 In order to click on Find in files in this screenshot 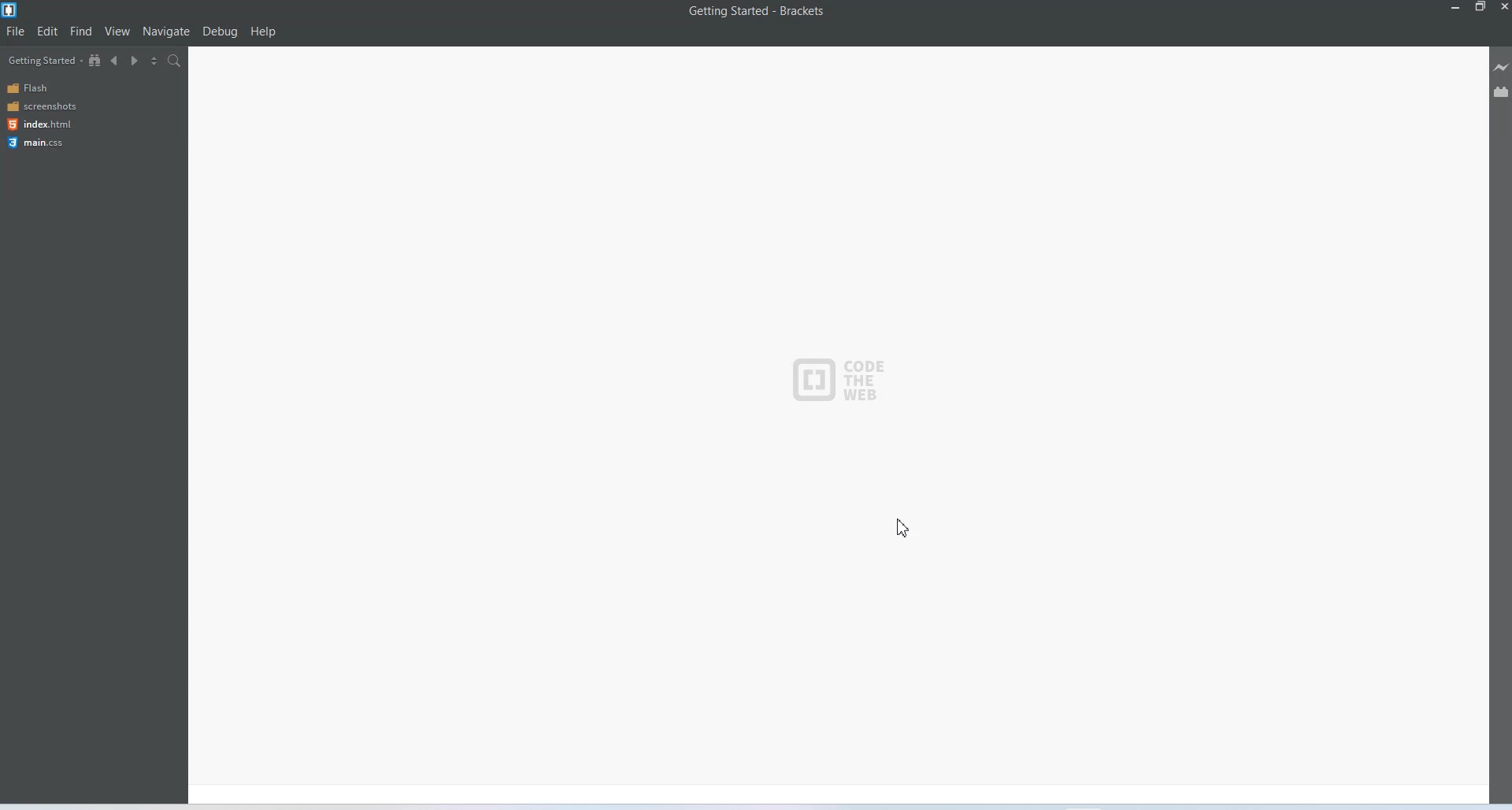, I will do `click(175, 61)`.